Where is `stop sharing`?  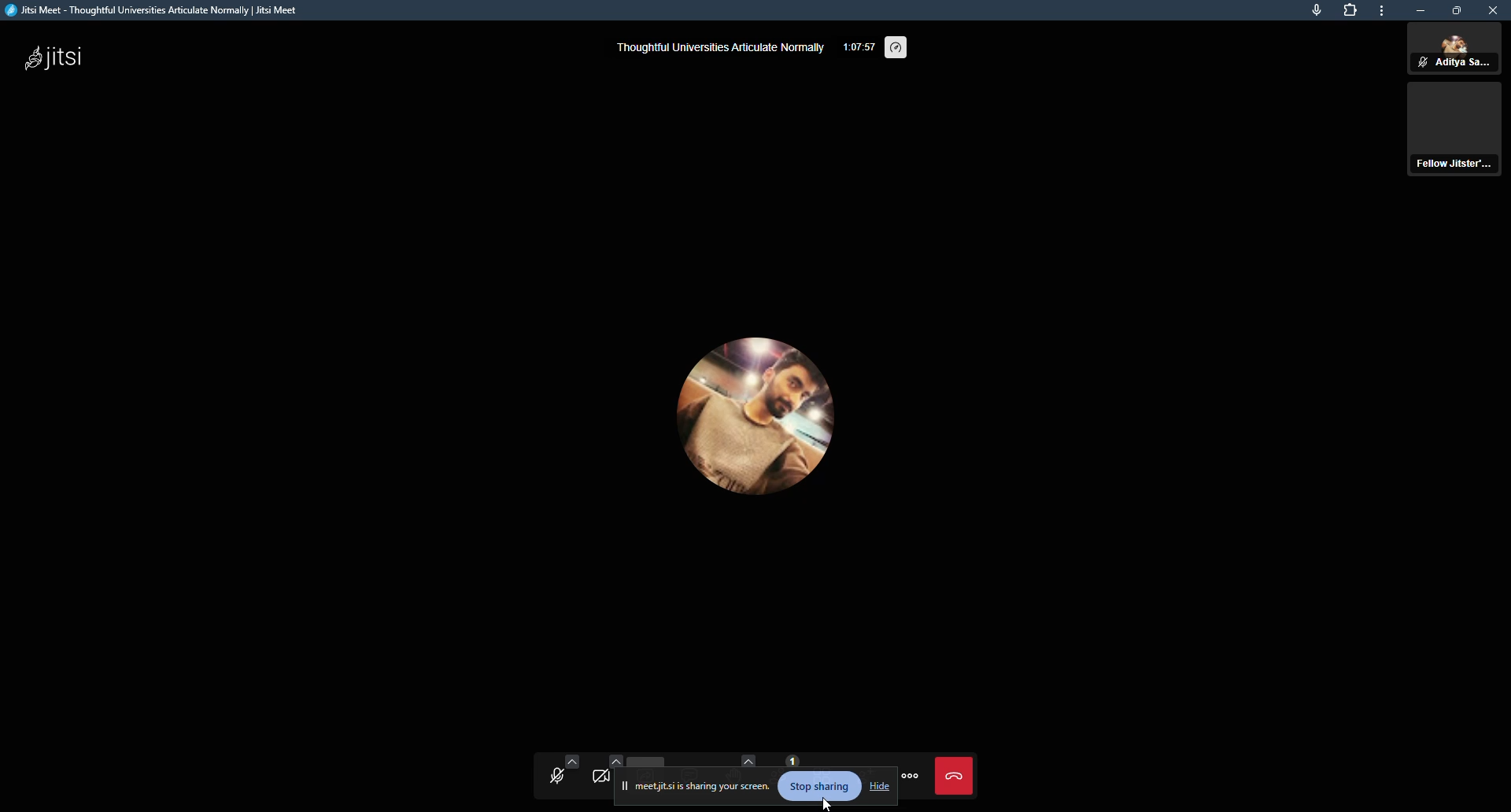 stop sharing is located at coordinates (818, 787).